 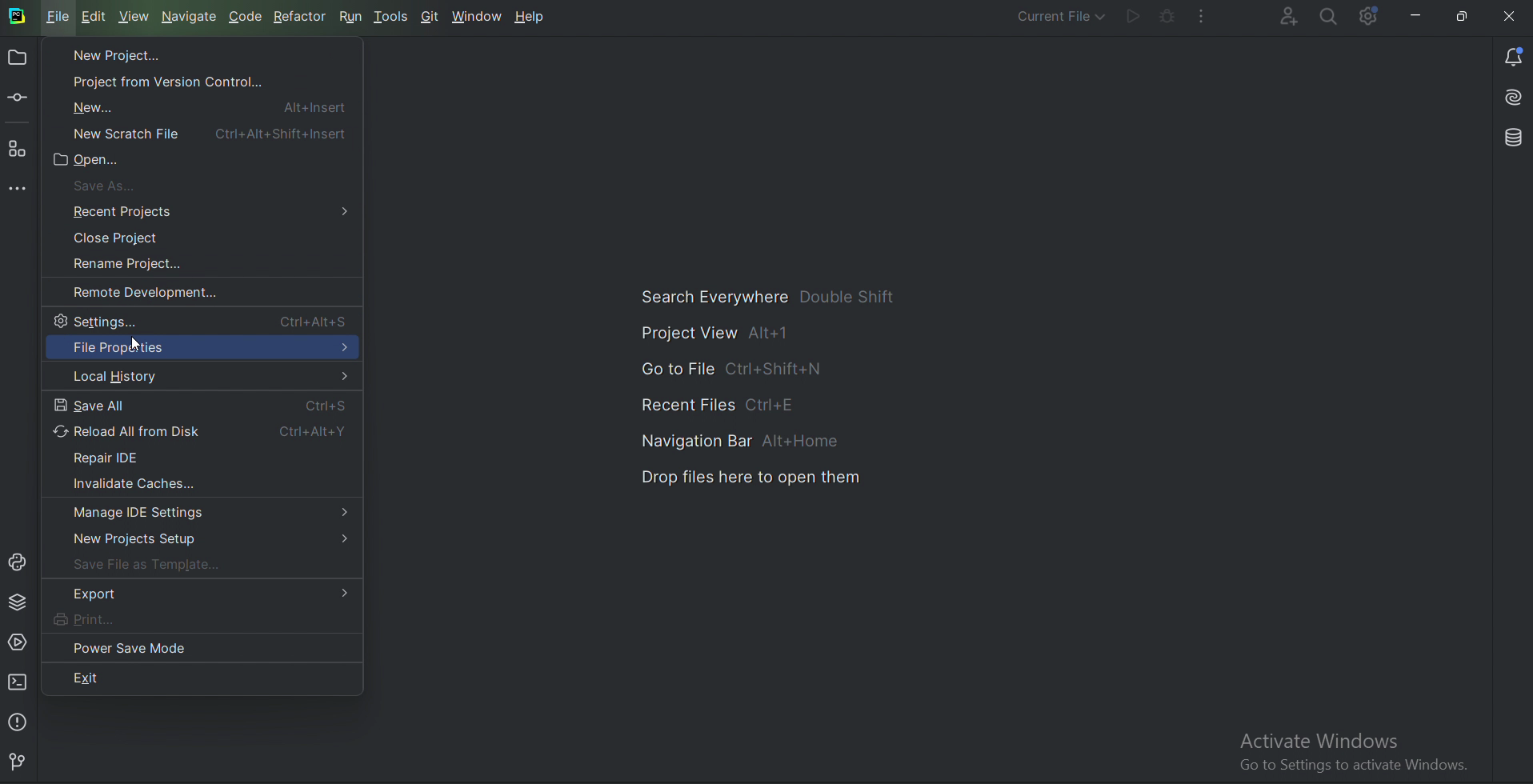 I want to click on Save all, so click(x=202, y=405).